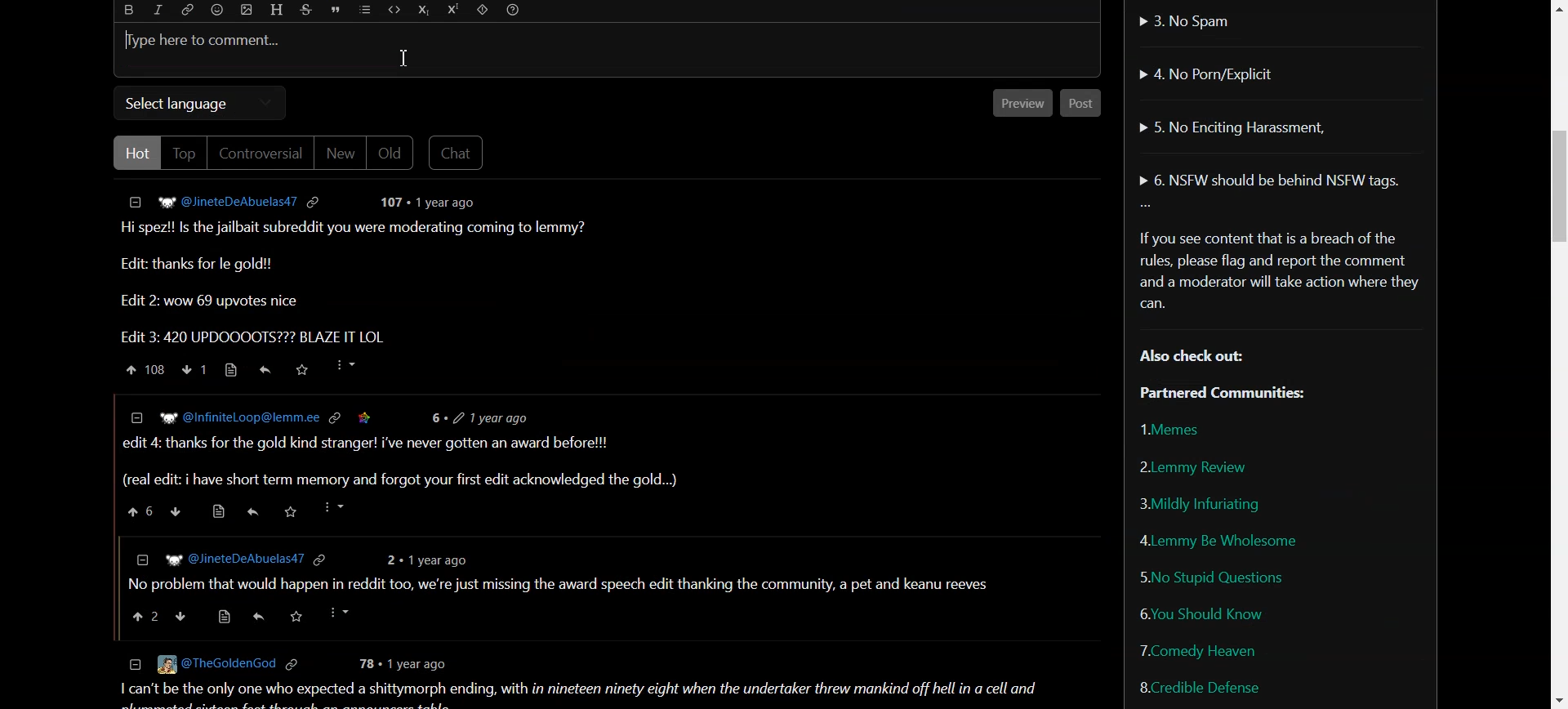 Image resolution: width=1568 pixels, height=709 pixels. What do you see at coordinates (216, 10) in the screenshot?
I see `Emoji` at bounding box center [216, 10].